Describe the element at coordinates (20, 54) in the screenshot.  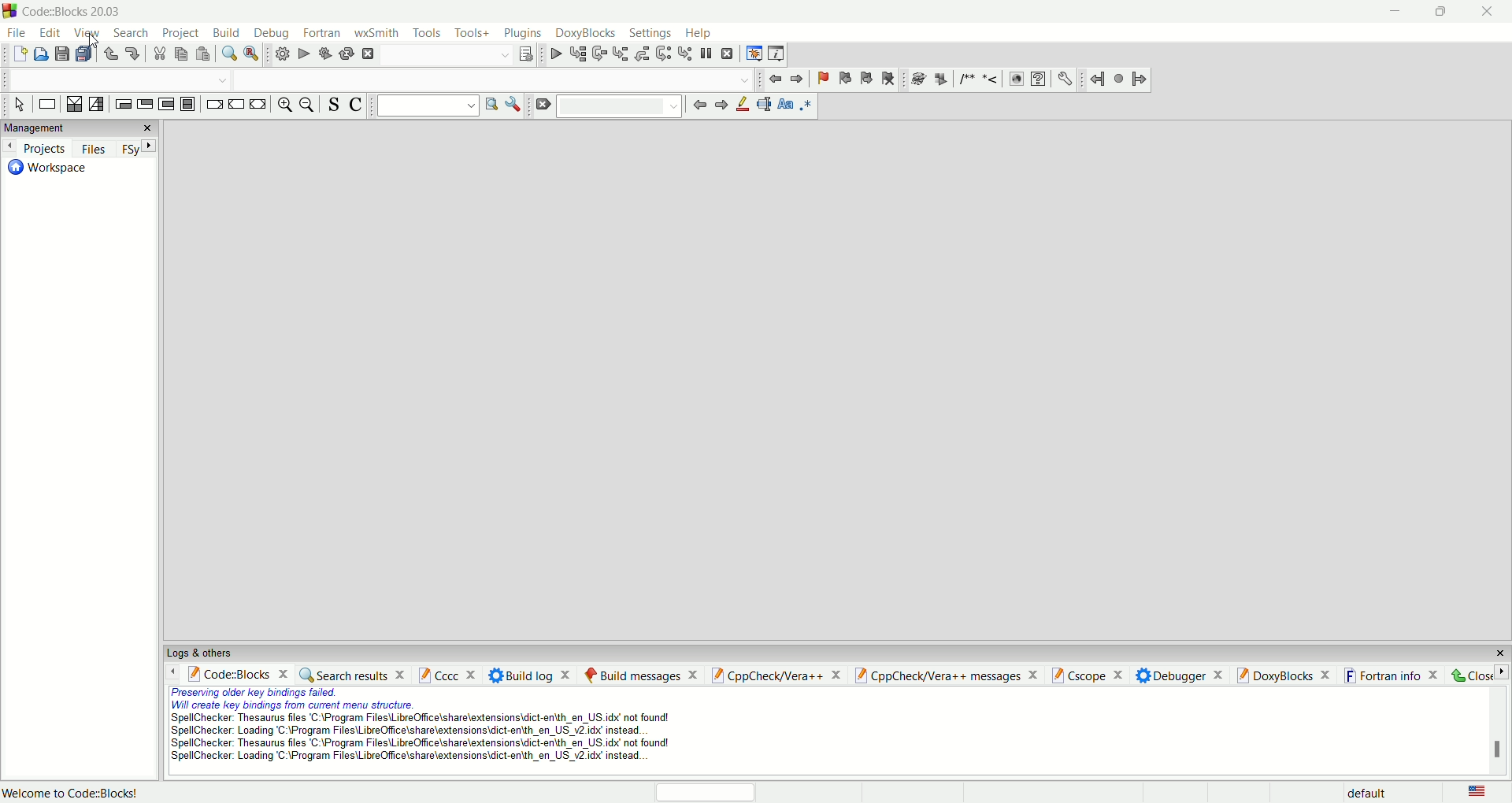
I see `new` at that location.